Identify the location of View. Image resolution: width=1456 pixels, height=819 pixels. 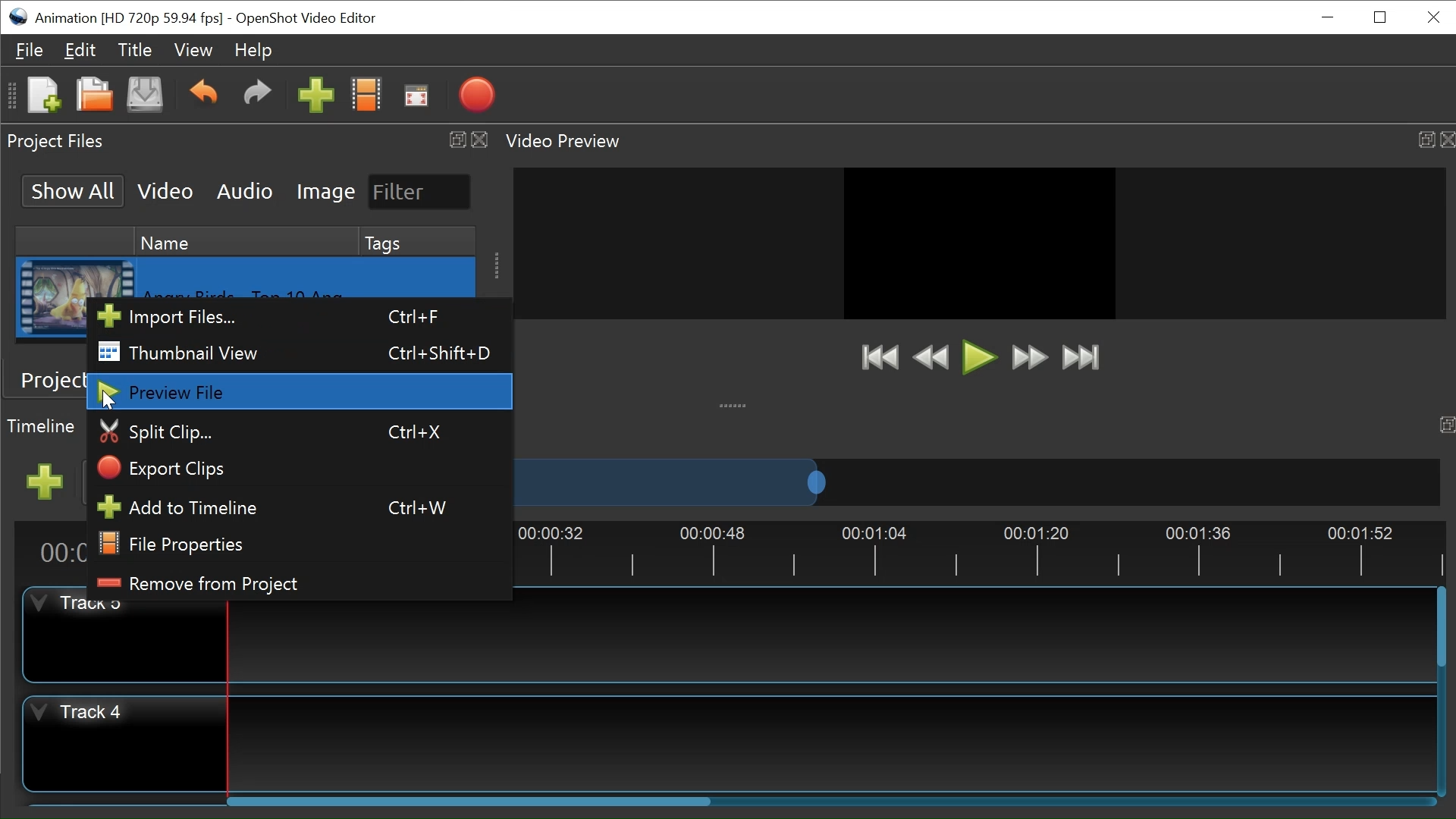
(190, 50).